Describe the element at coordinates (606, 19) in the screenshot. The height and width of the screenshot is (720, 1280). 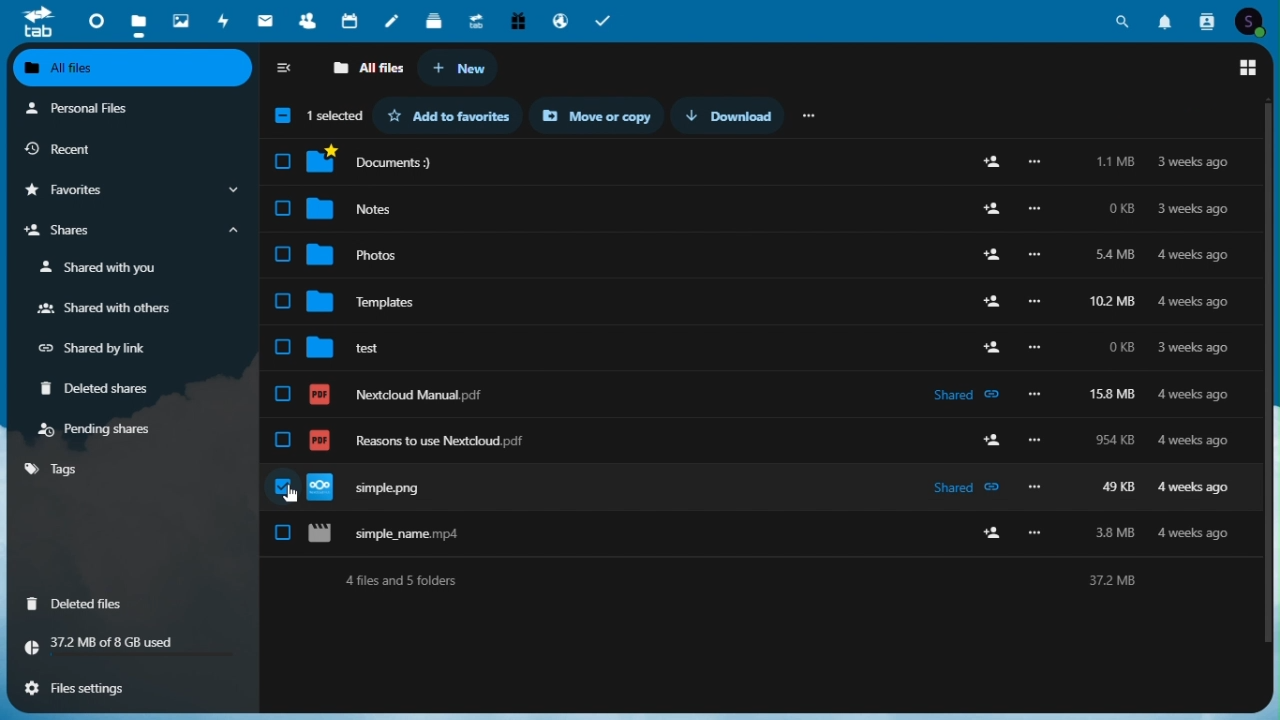
I see `tasks` at that location.